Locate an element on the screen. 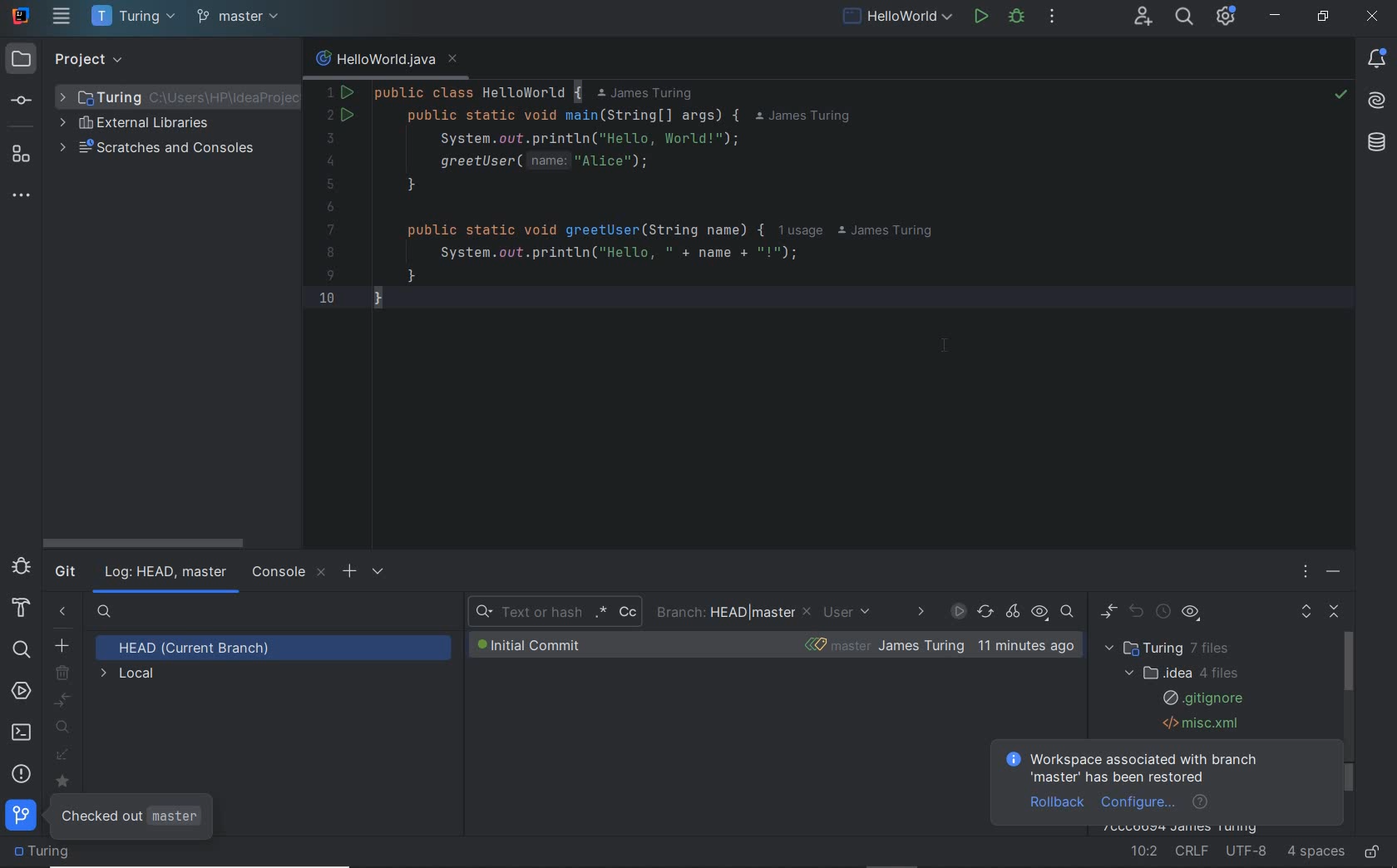  compare with current is located at coordinates (64, 701).